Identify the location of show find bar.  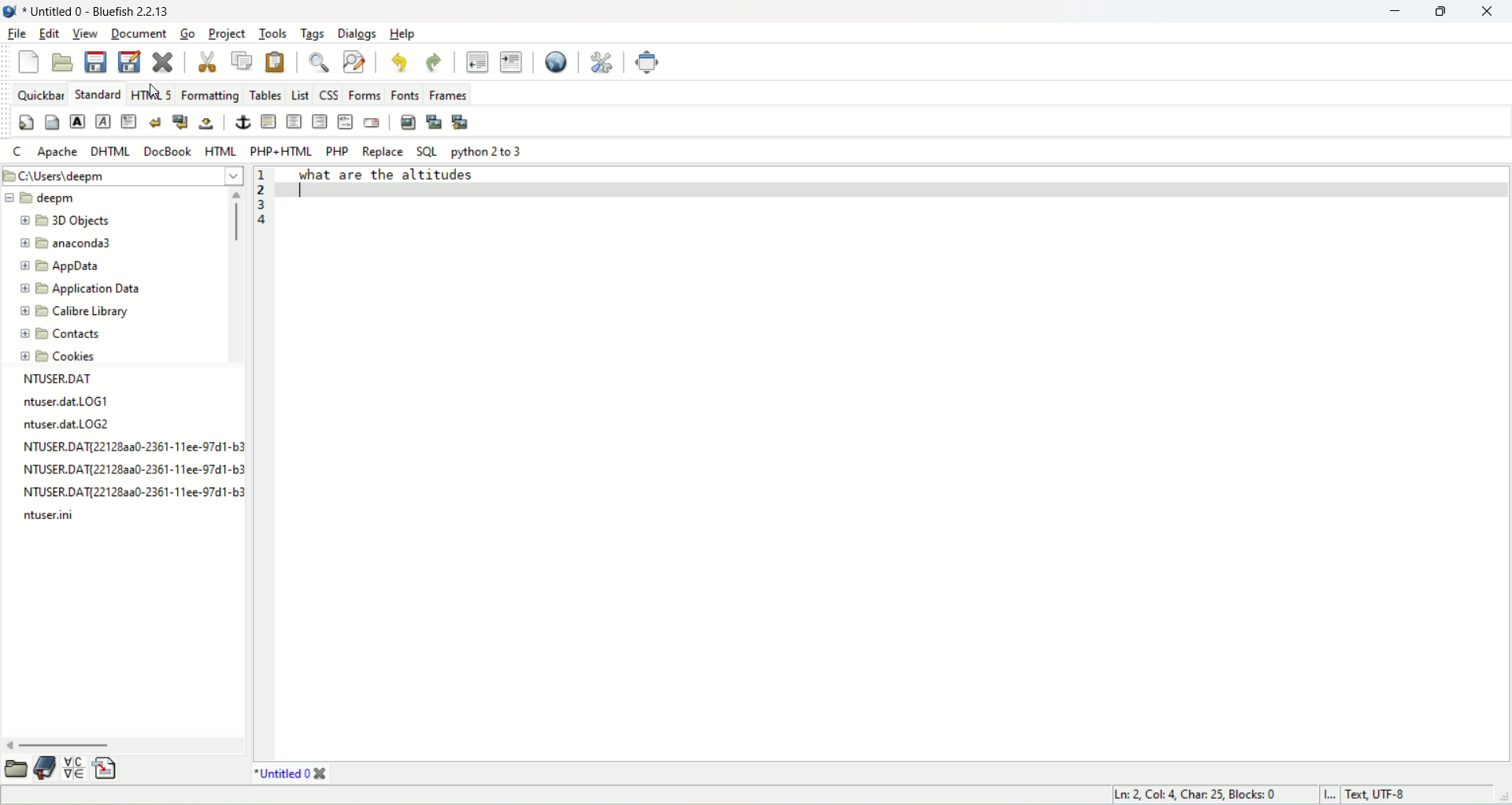
(321, 64).